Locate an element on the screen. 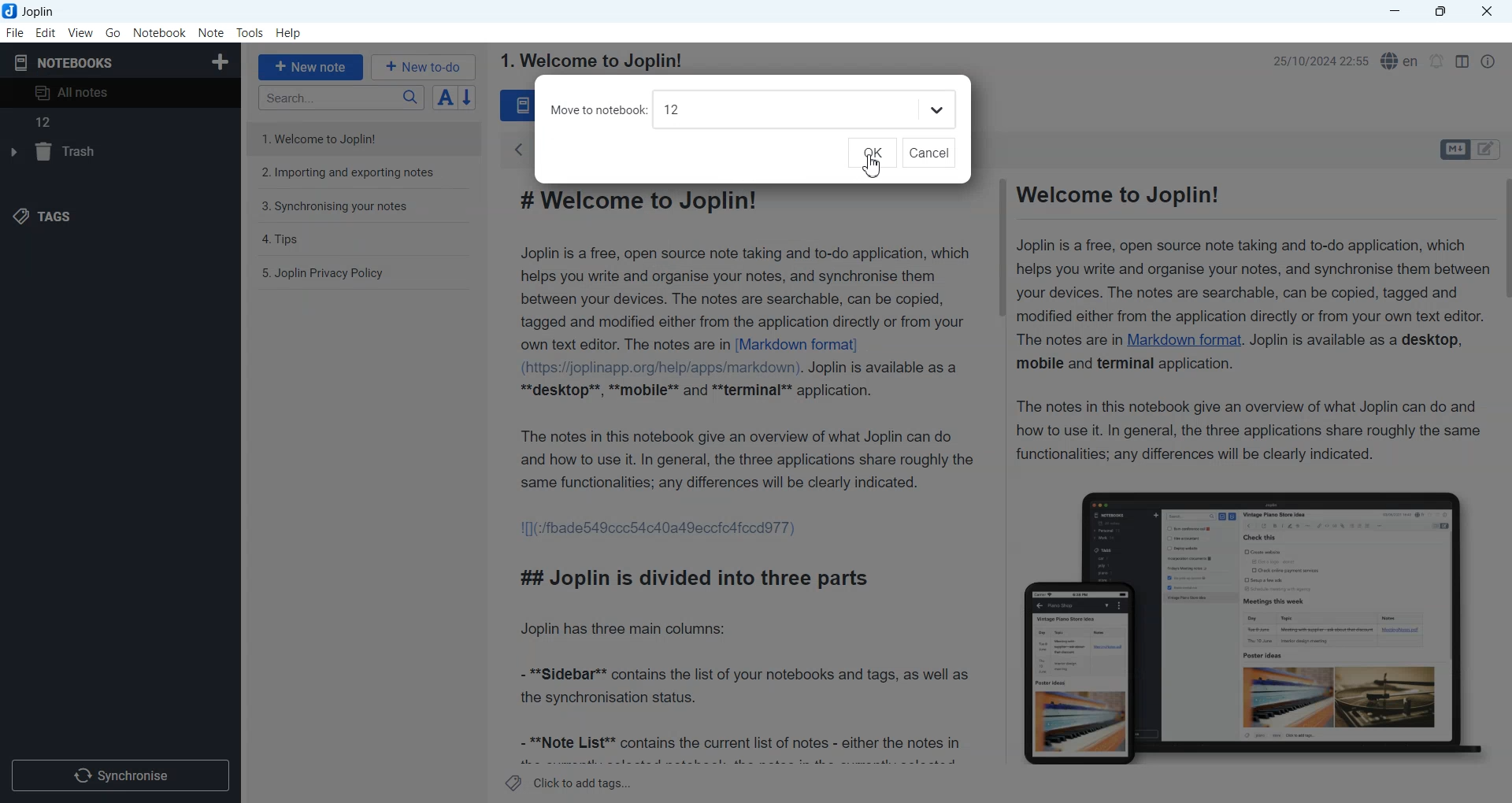 This screenshot has width=1512, height=803. Joplin is located at coordinates (34, 11).